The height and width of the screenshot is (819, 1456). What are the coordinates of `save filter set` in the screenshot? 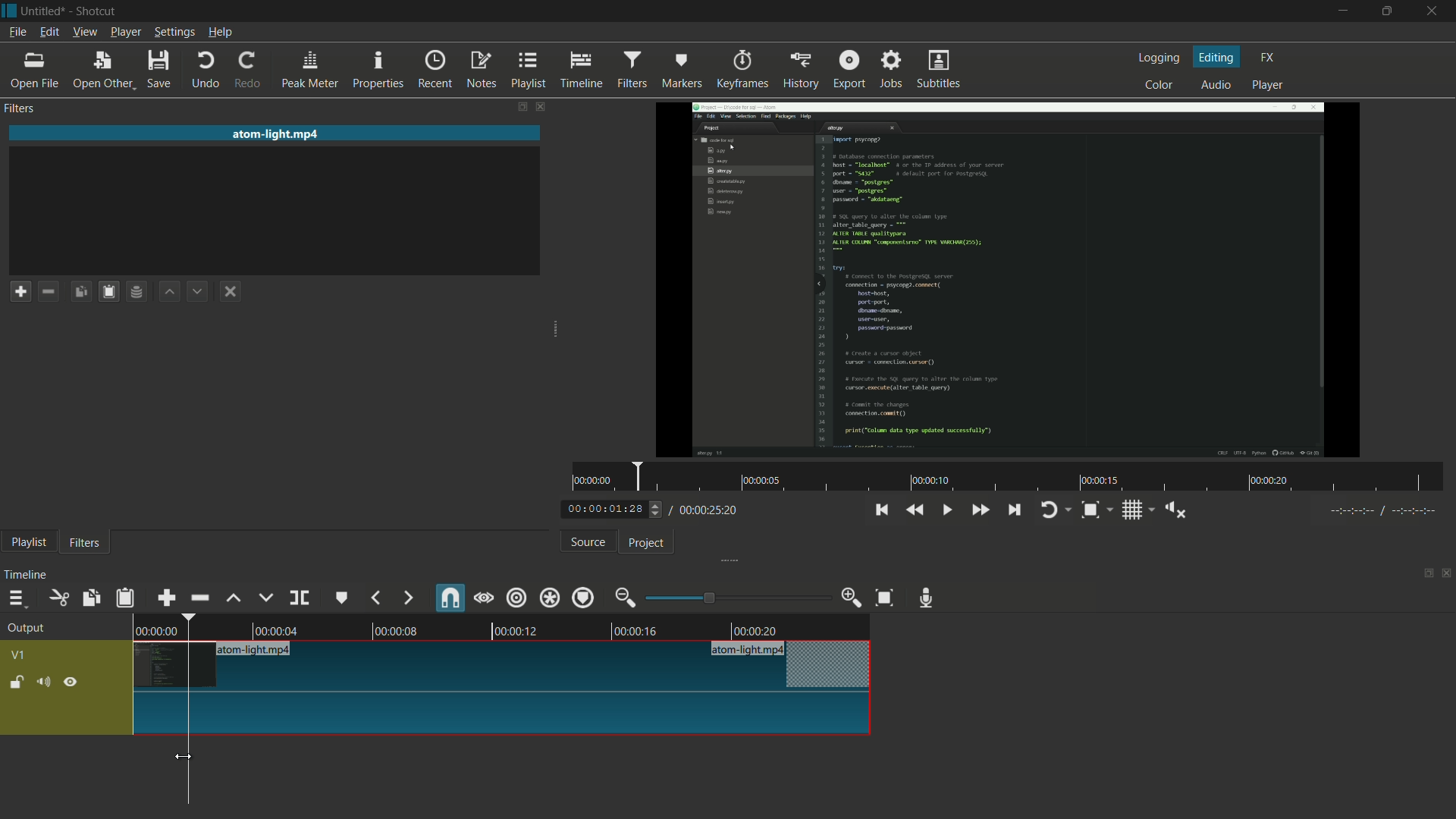 It's located at (140, 293).